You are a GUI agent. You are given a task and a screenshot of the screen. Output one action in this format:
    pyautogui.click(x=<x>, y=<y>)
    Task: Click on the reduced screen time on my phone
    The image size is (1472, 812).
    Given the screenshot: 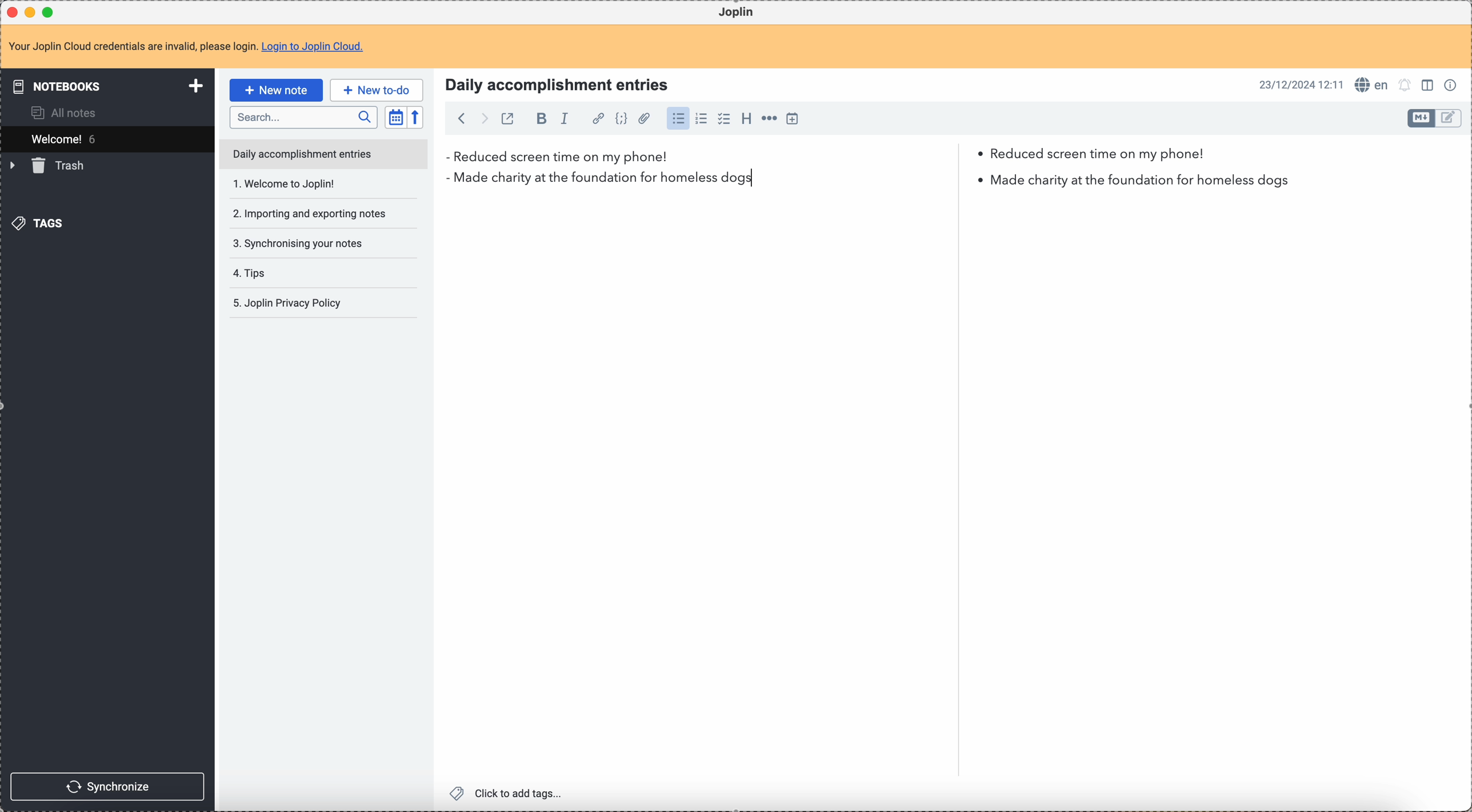 What is the action you would take?
    pyautogui.click(x=825, y=157)
    